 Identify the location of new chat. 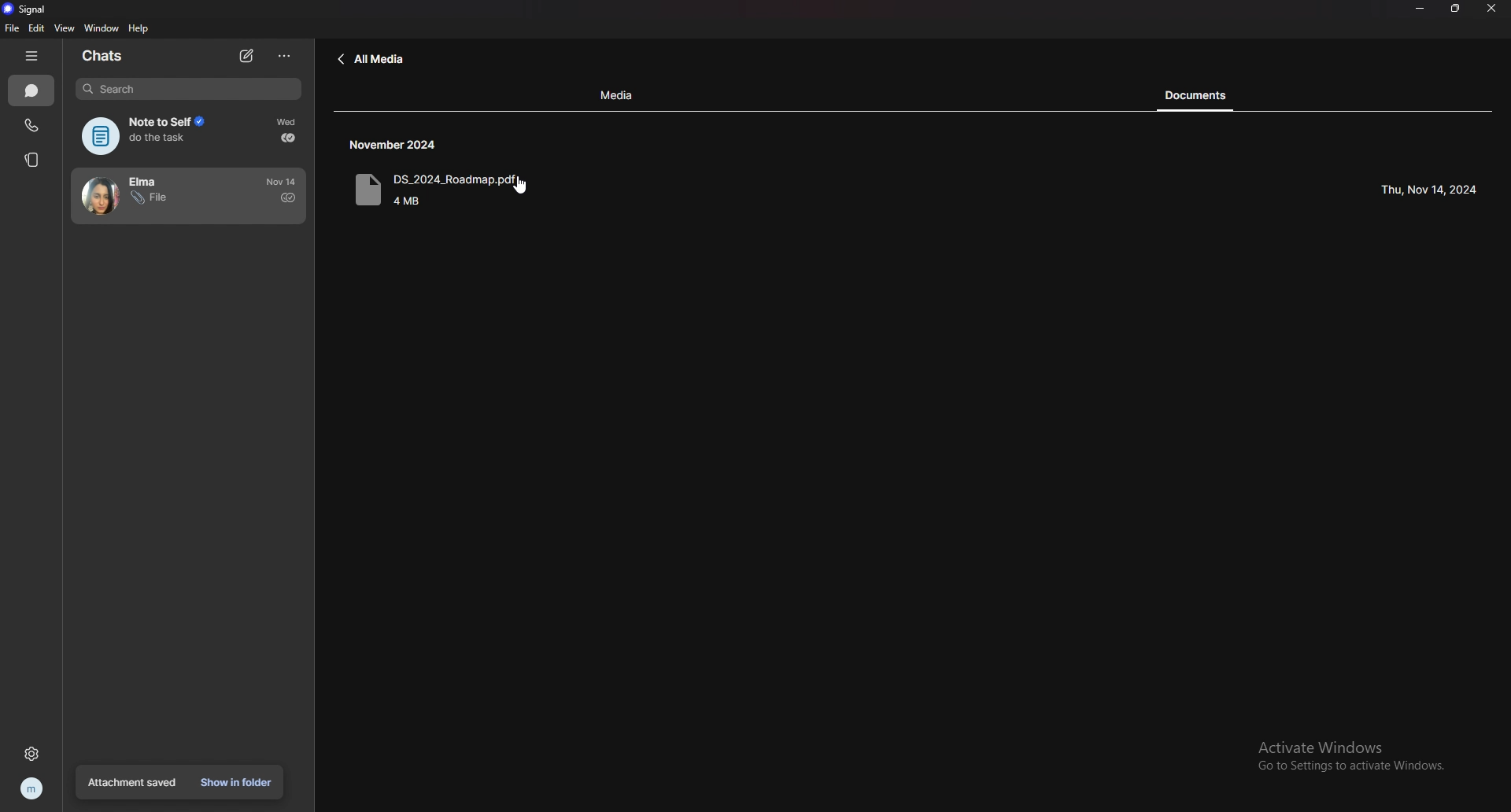
(246, 56).